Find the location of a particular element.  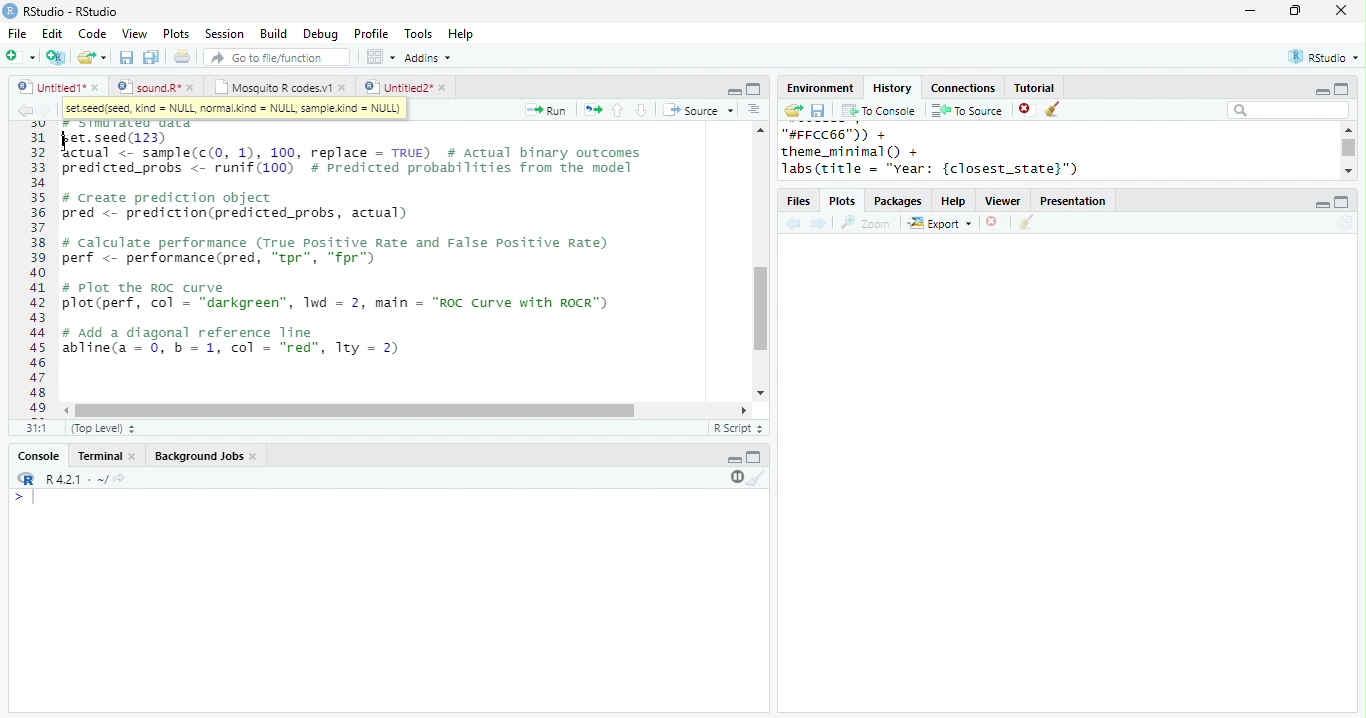

scroll up is located at coordinates (1347, 129).